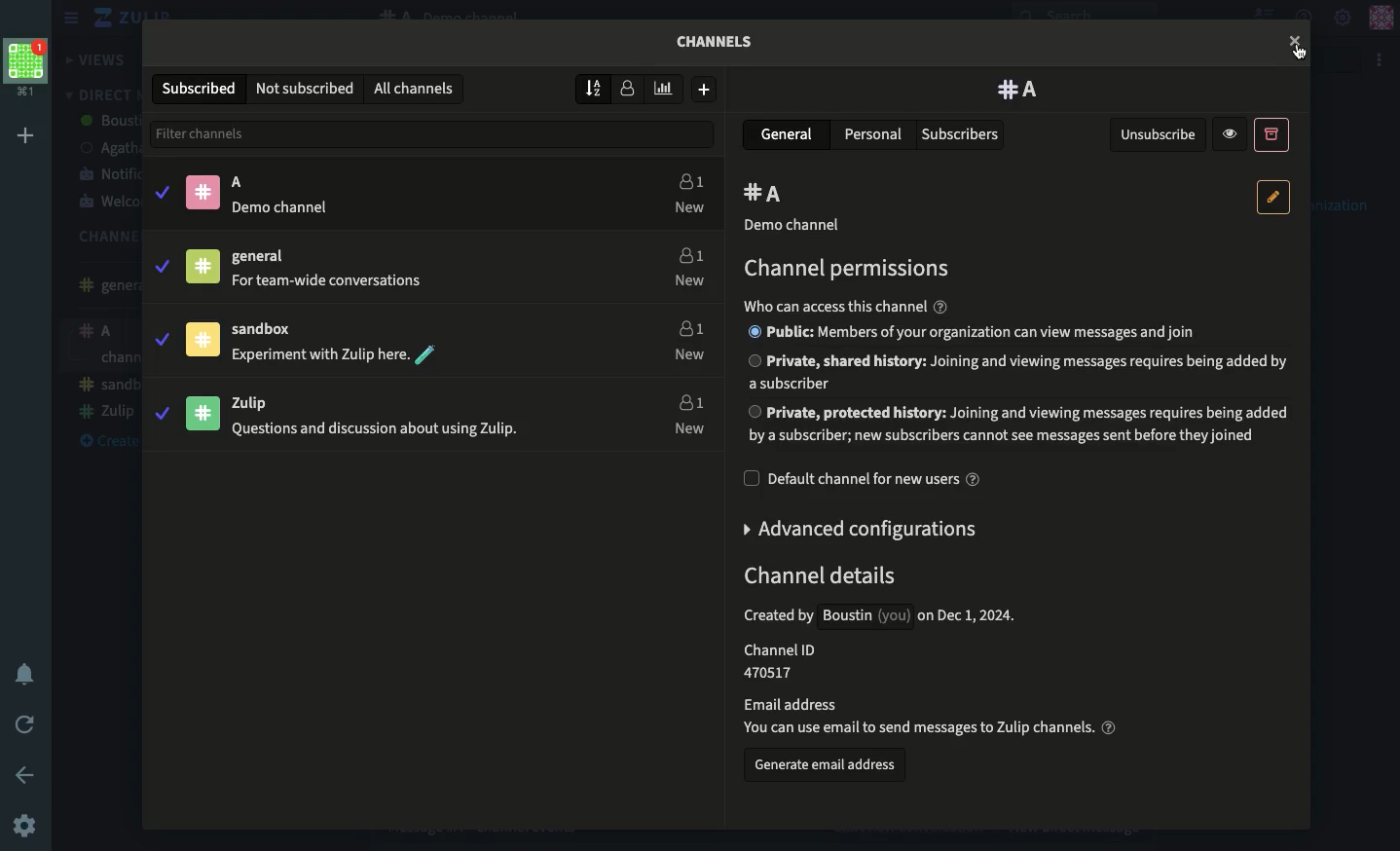  What do you see at coordinates (412, 90) in the screenshot?
I see `All channels` at bounding box center [412, 90].